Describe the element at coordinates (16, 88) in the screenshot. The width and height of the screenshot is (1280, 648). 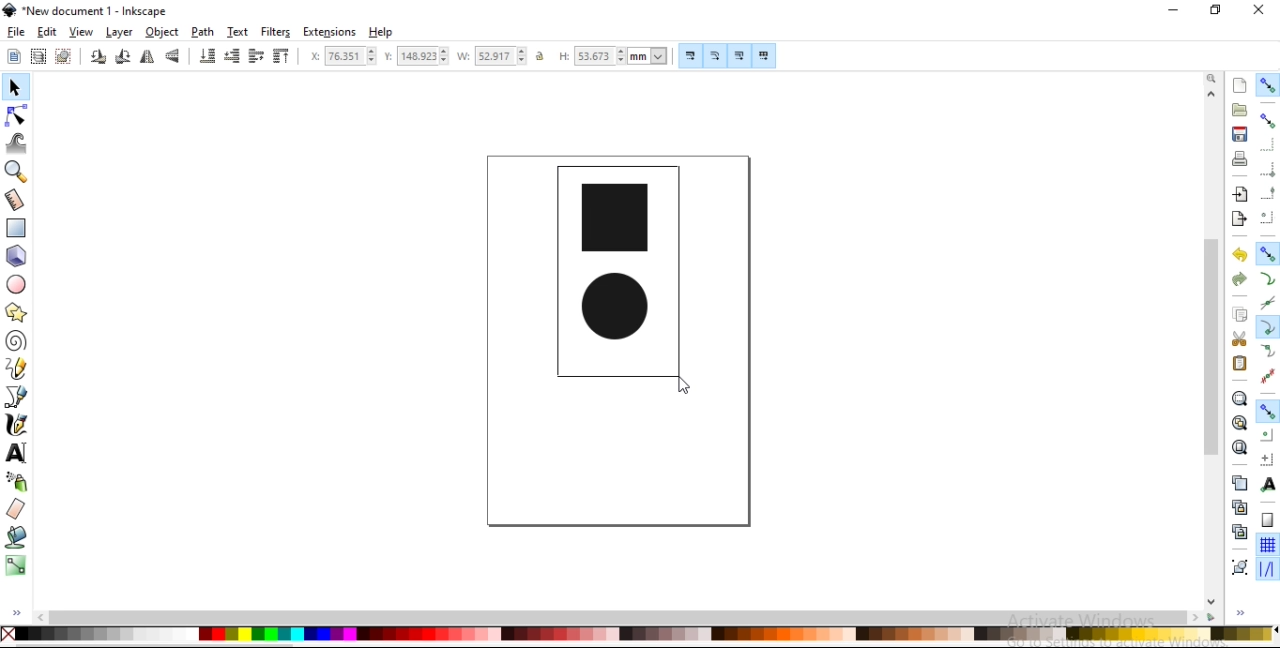
I see `select and transform objects` at that location.